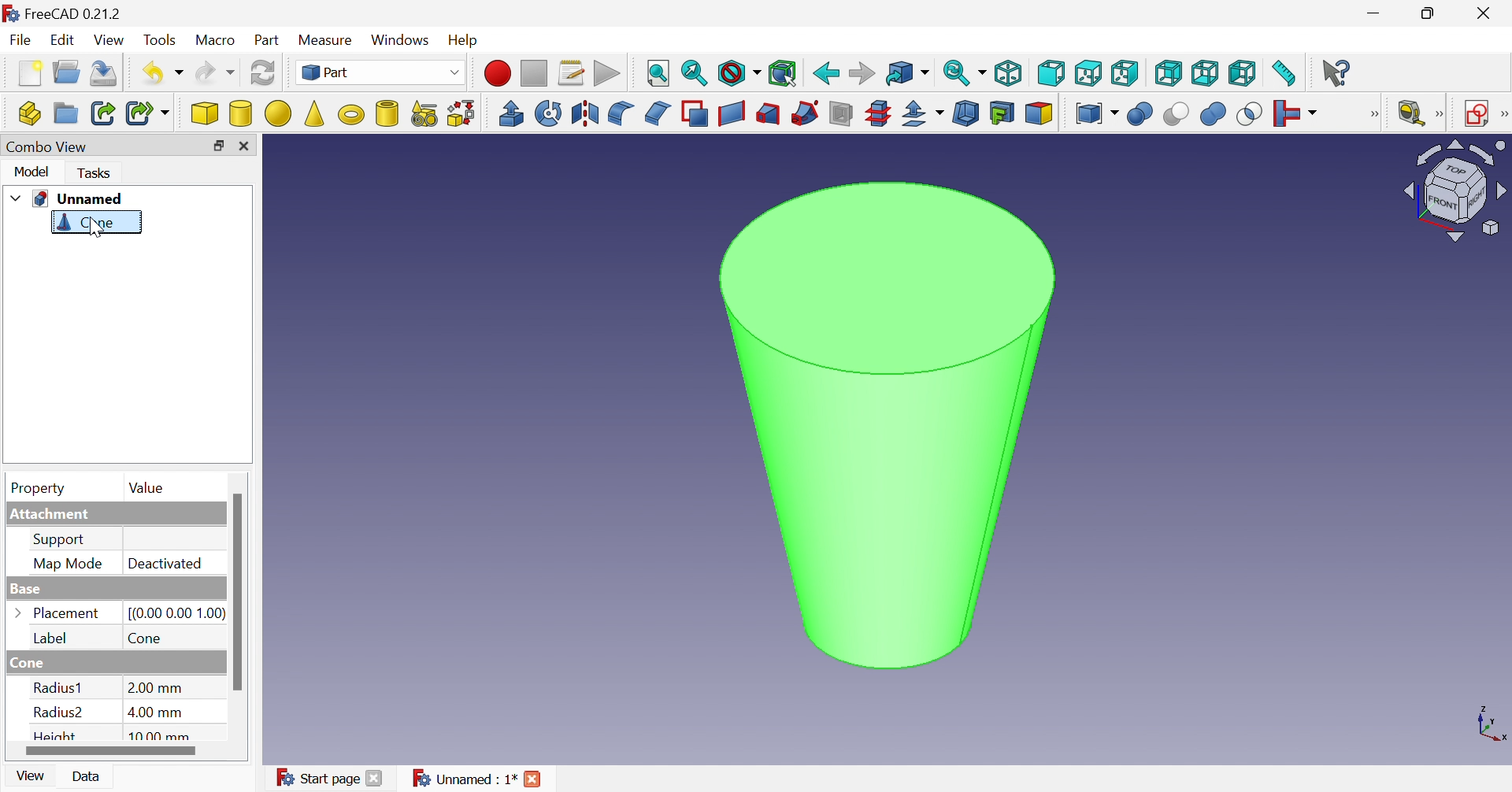 This screenshot has height=792, width=1512. Describe the element at coordinates (32, 171) in the screenshot. I see `Model` at that location.